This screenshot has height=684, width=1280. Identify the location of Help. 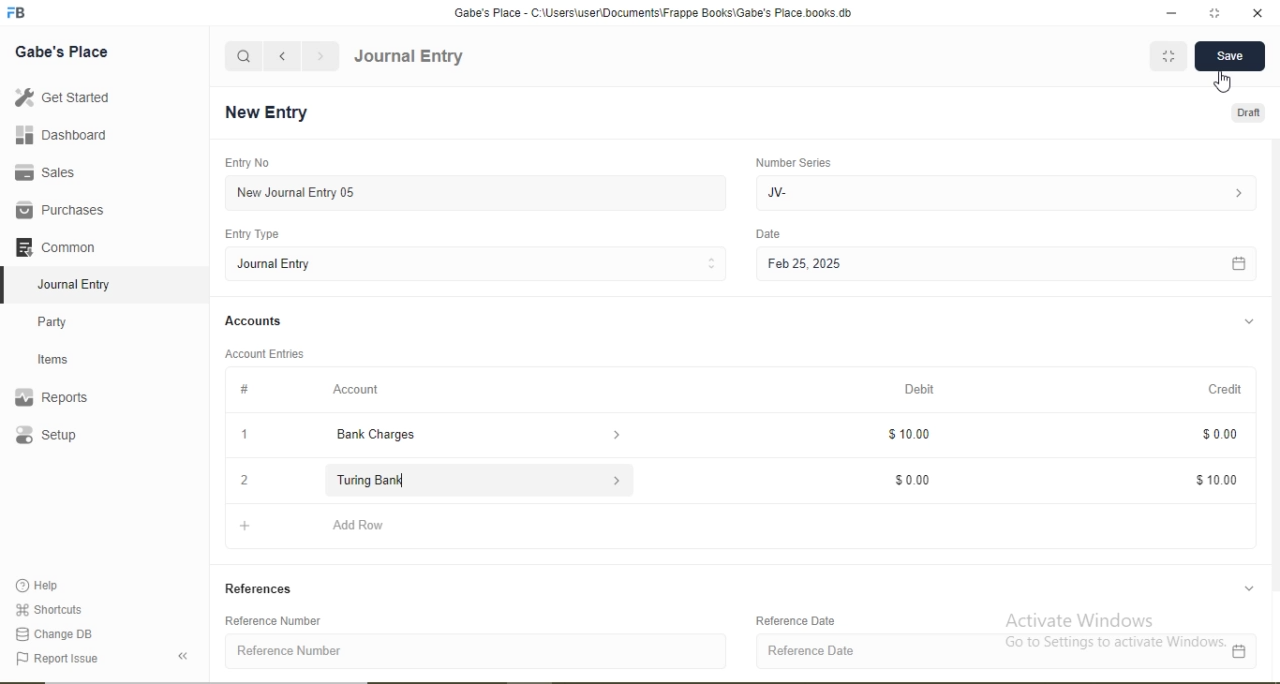
(46, 586).